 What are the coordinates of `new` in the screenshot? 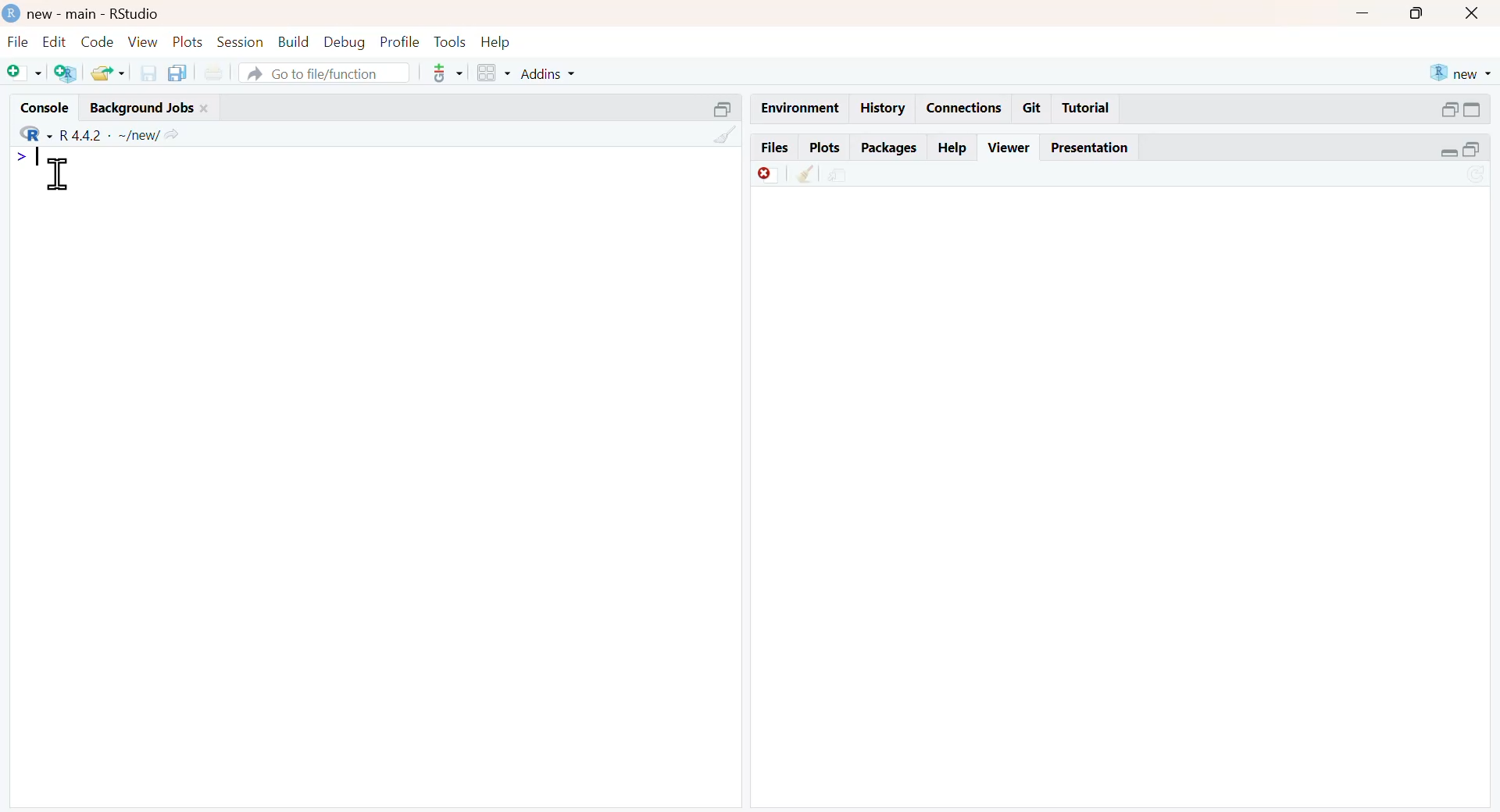 It's located at (1462, 73).